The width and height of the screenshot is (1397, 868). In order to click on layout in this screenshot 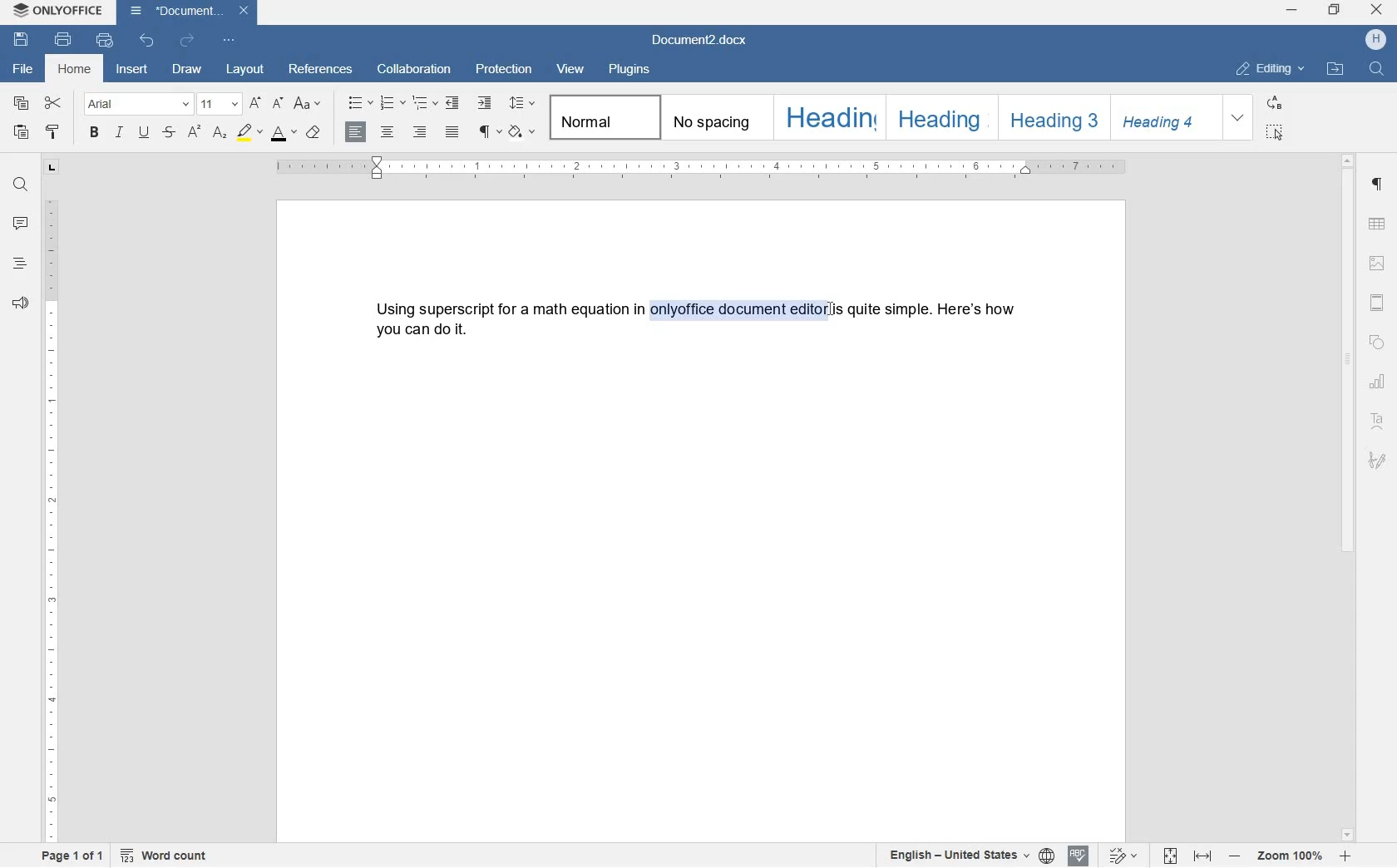, I will do `click(247, 70)`.